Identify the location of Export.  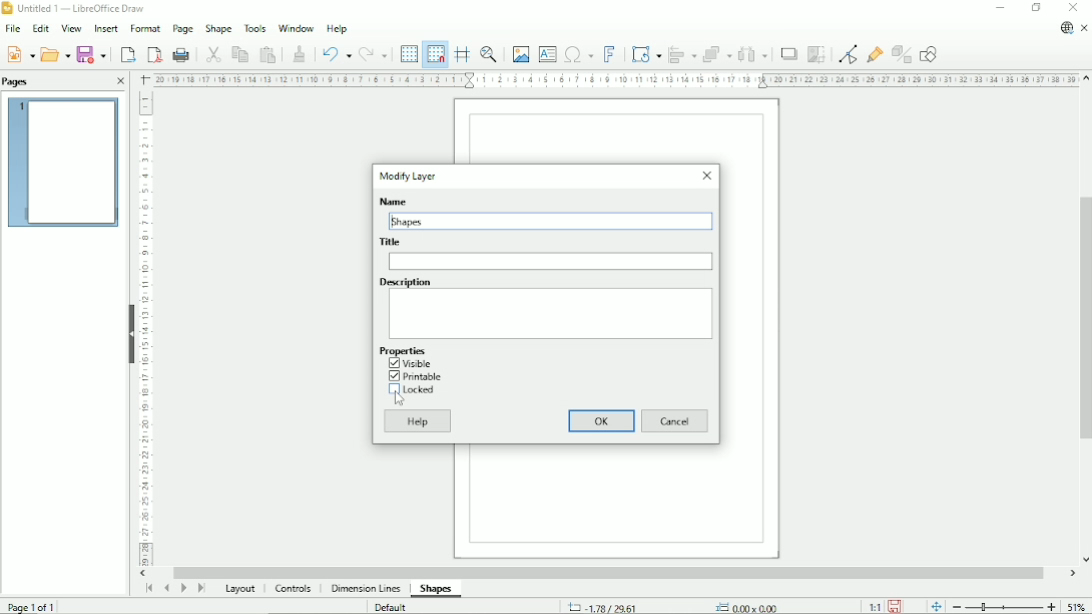
(126, 53).